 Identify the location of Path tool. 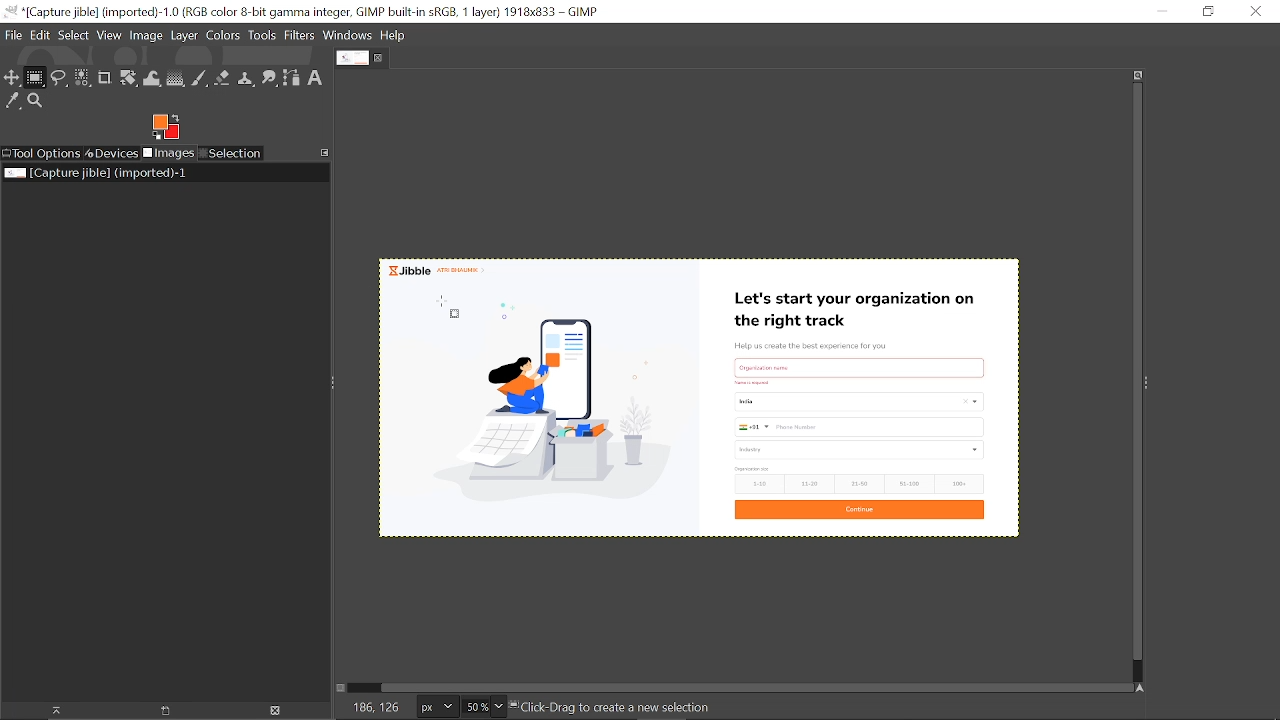
(293, 78).